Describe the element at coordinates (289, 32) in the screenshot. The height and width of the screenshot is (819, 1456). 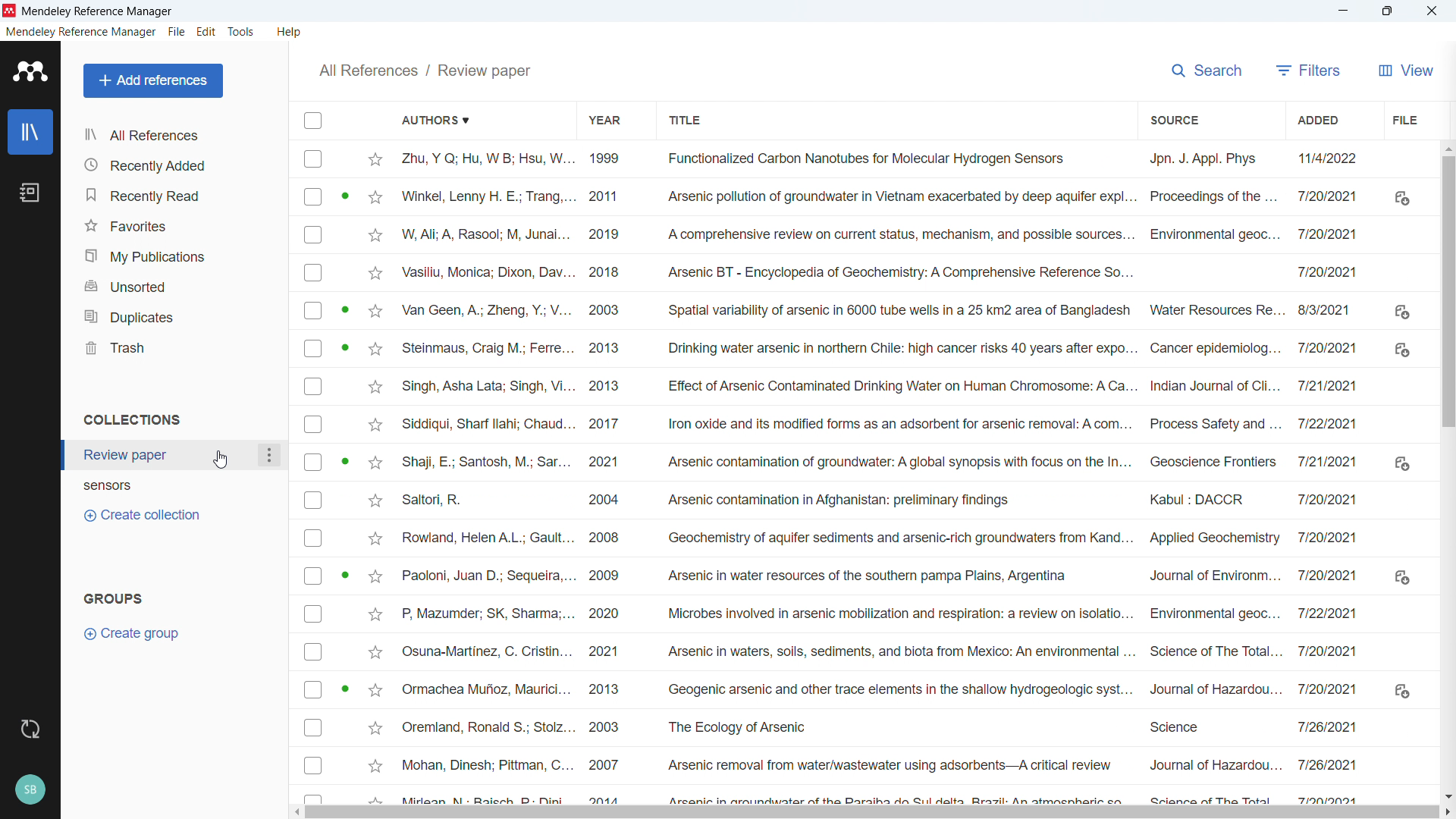
I see ` help ` at that location.